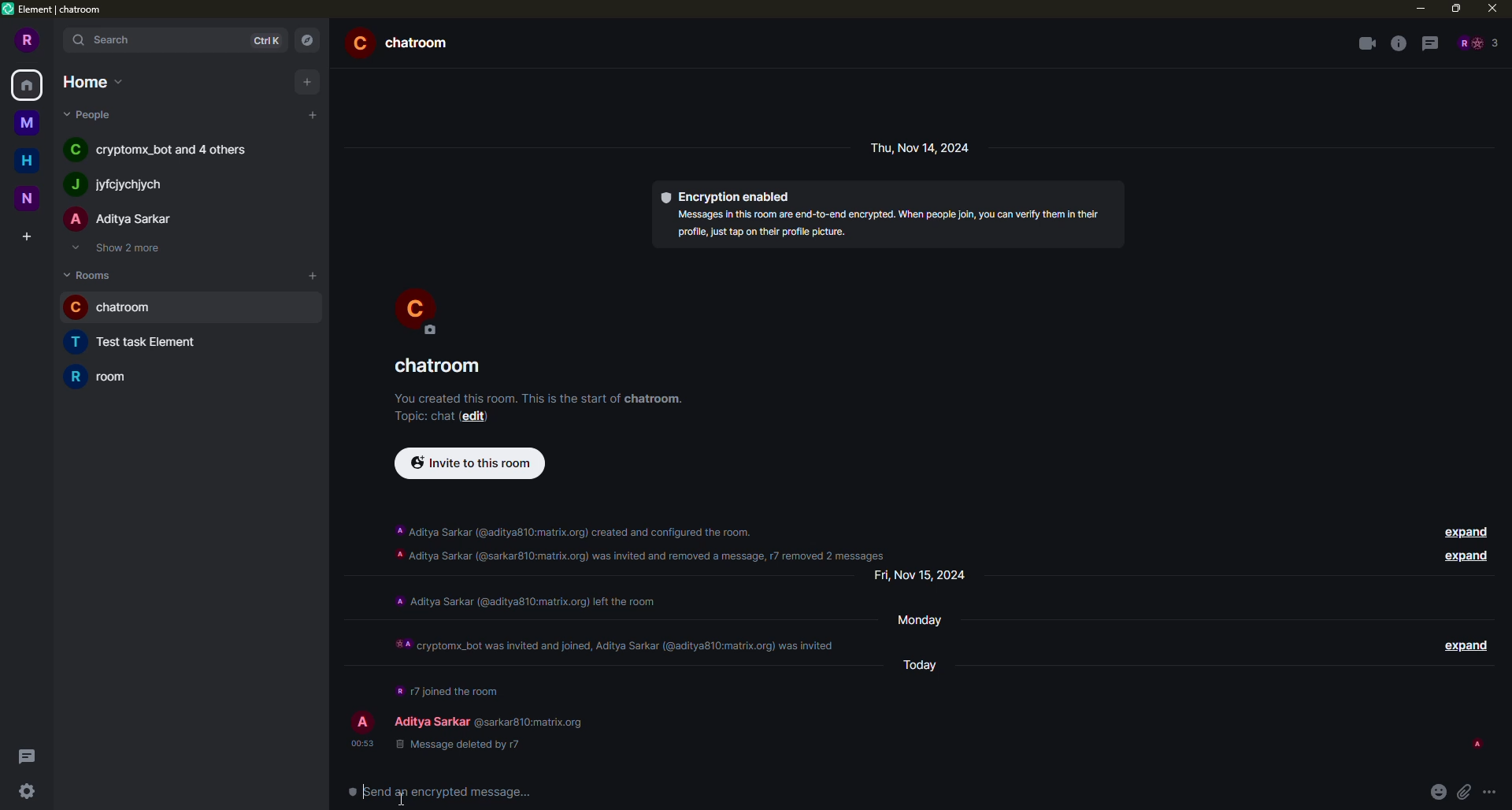 This screenshot has width=1512, height=810. I want to click on room, so click(441, 366).